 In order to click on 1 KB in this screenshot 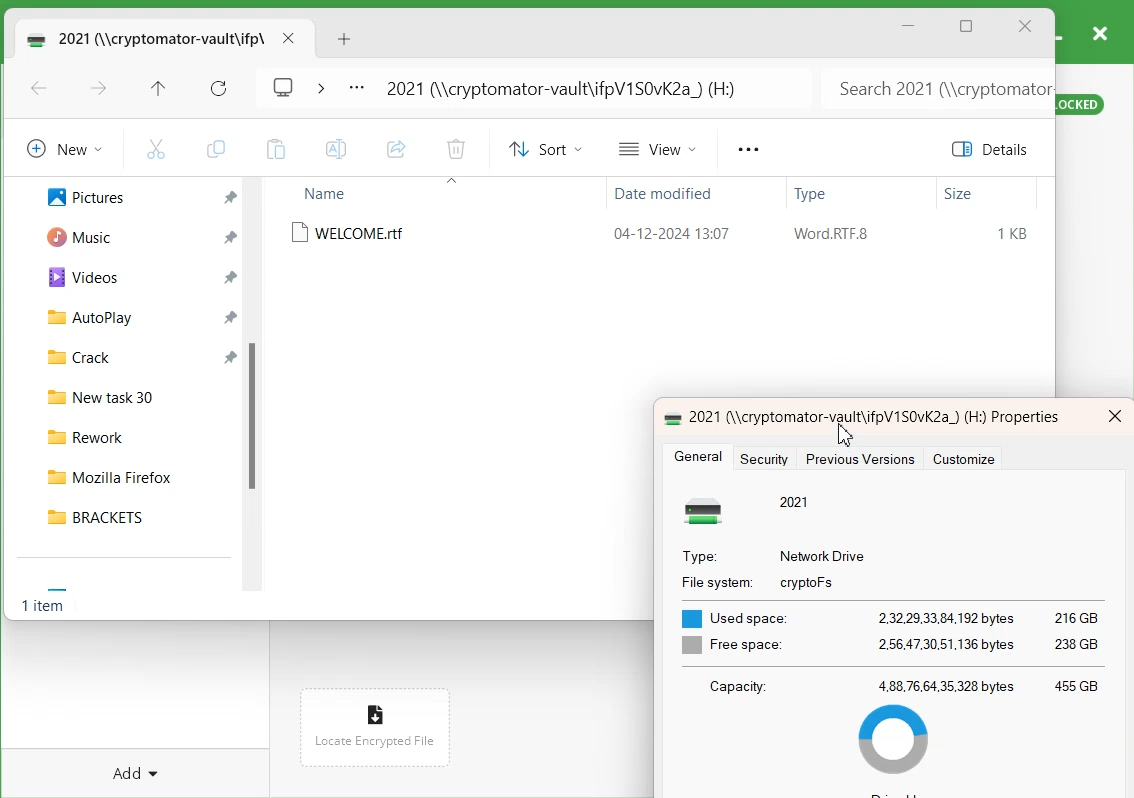, I will do `click(1014, 234)`.